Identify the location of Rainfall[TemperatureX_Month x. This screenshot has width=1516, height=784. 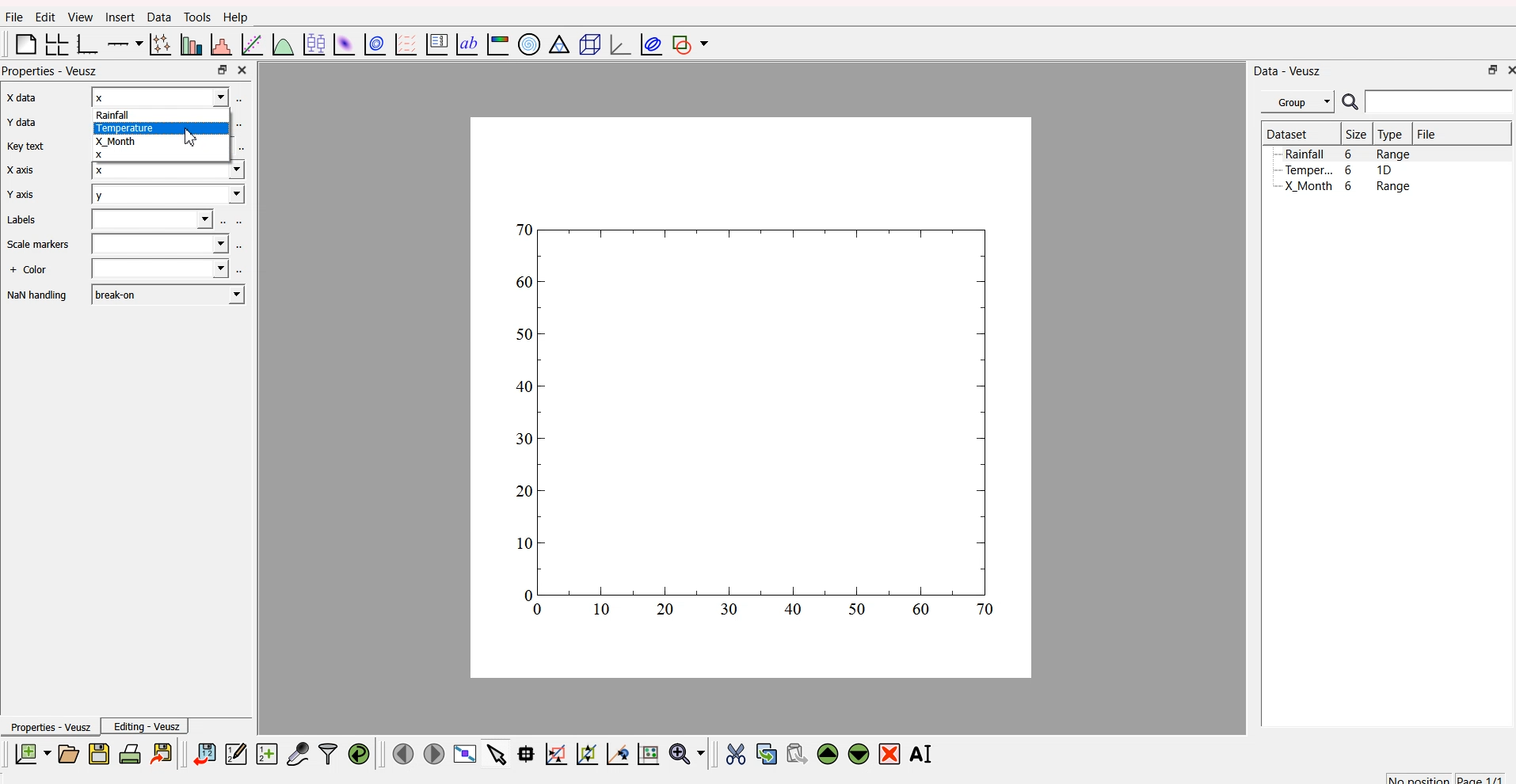
(166, 134).